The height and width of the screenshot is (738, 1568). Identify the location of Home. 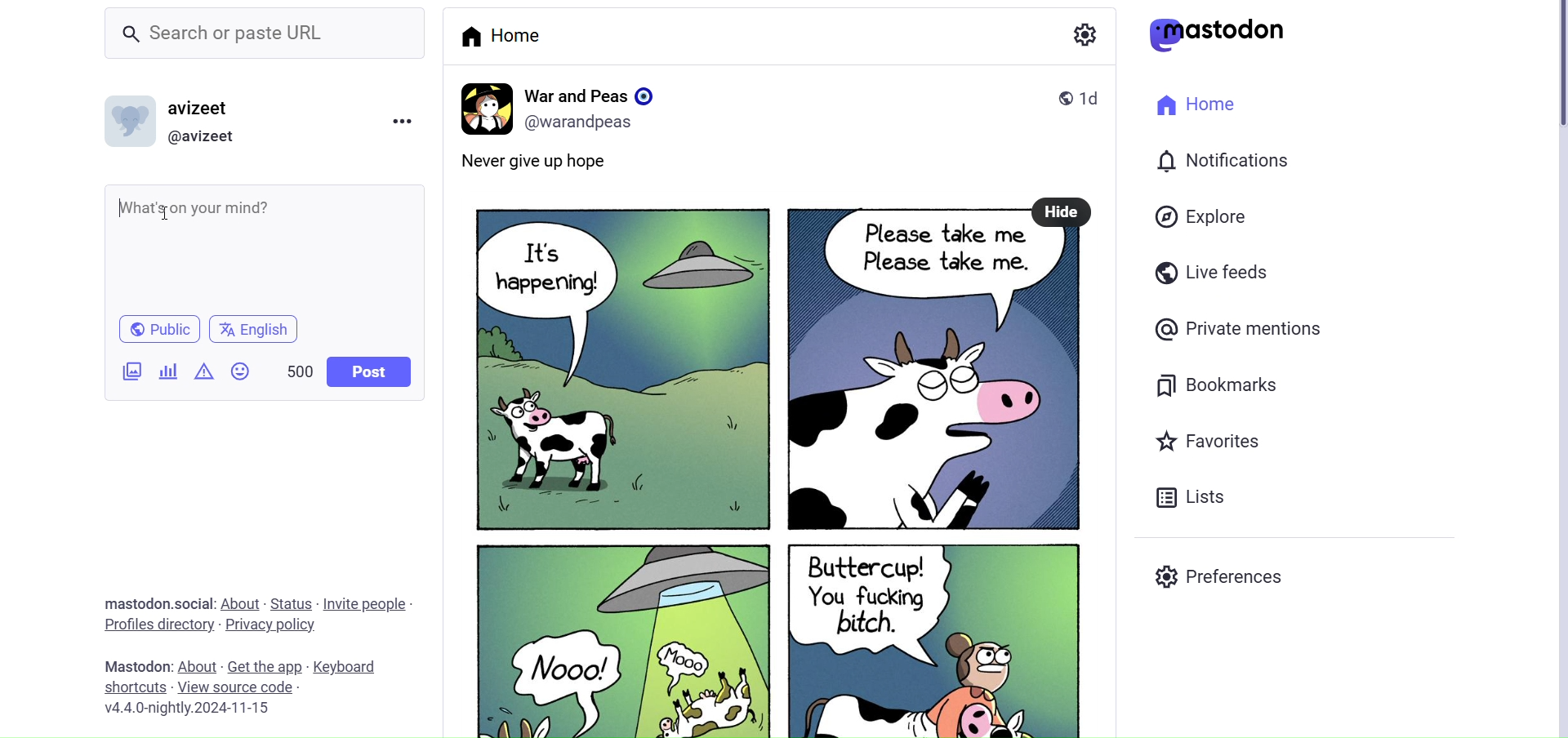
(1196, 105).